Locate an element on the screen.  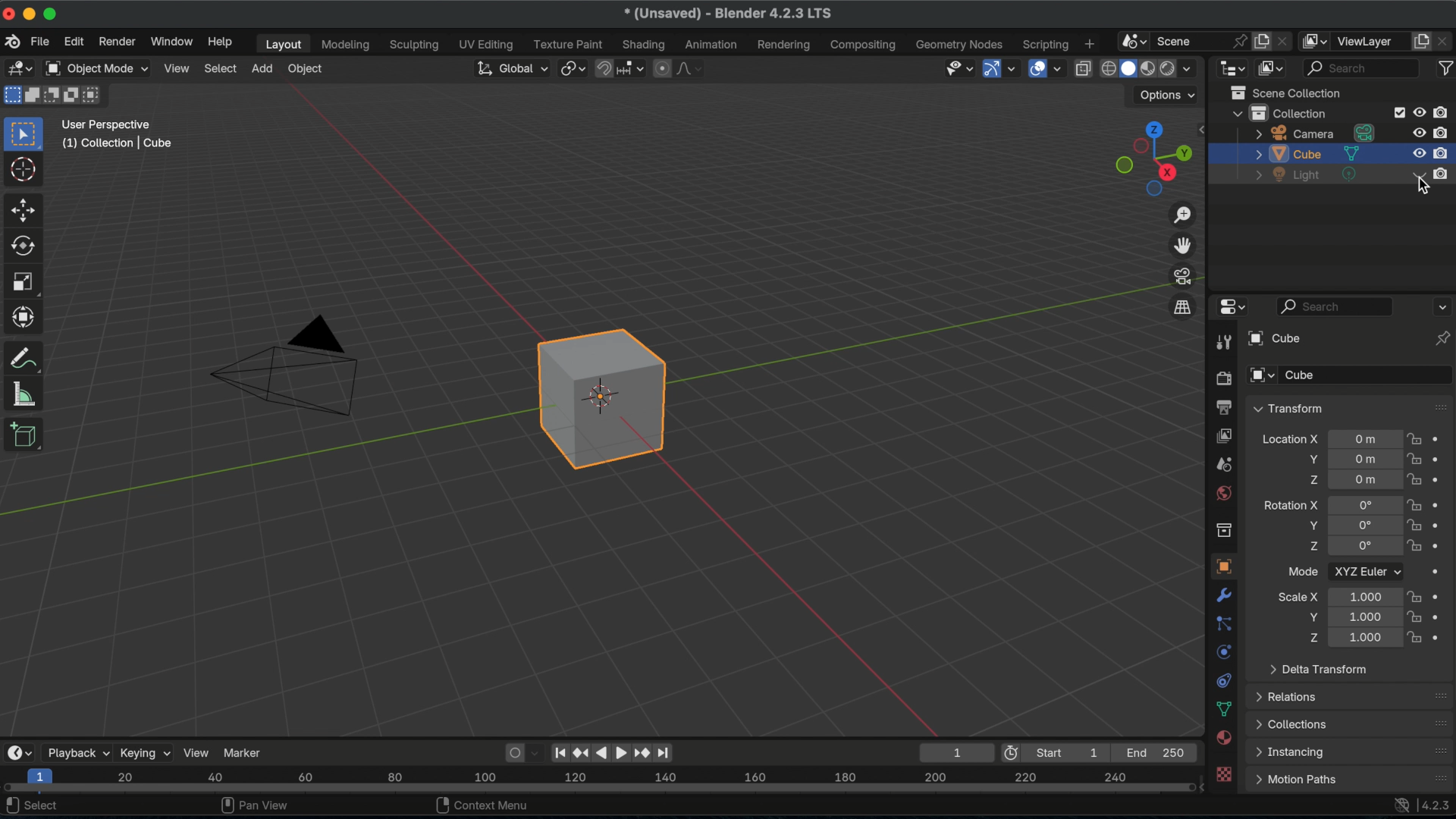
toggle pin ID is located at coordinates (1437, 338).